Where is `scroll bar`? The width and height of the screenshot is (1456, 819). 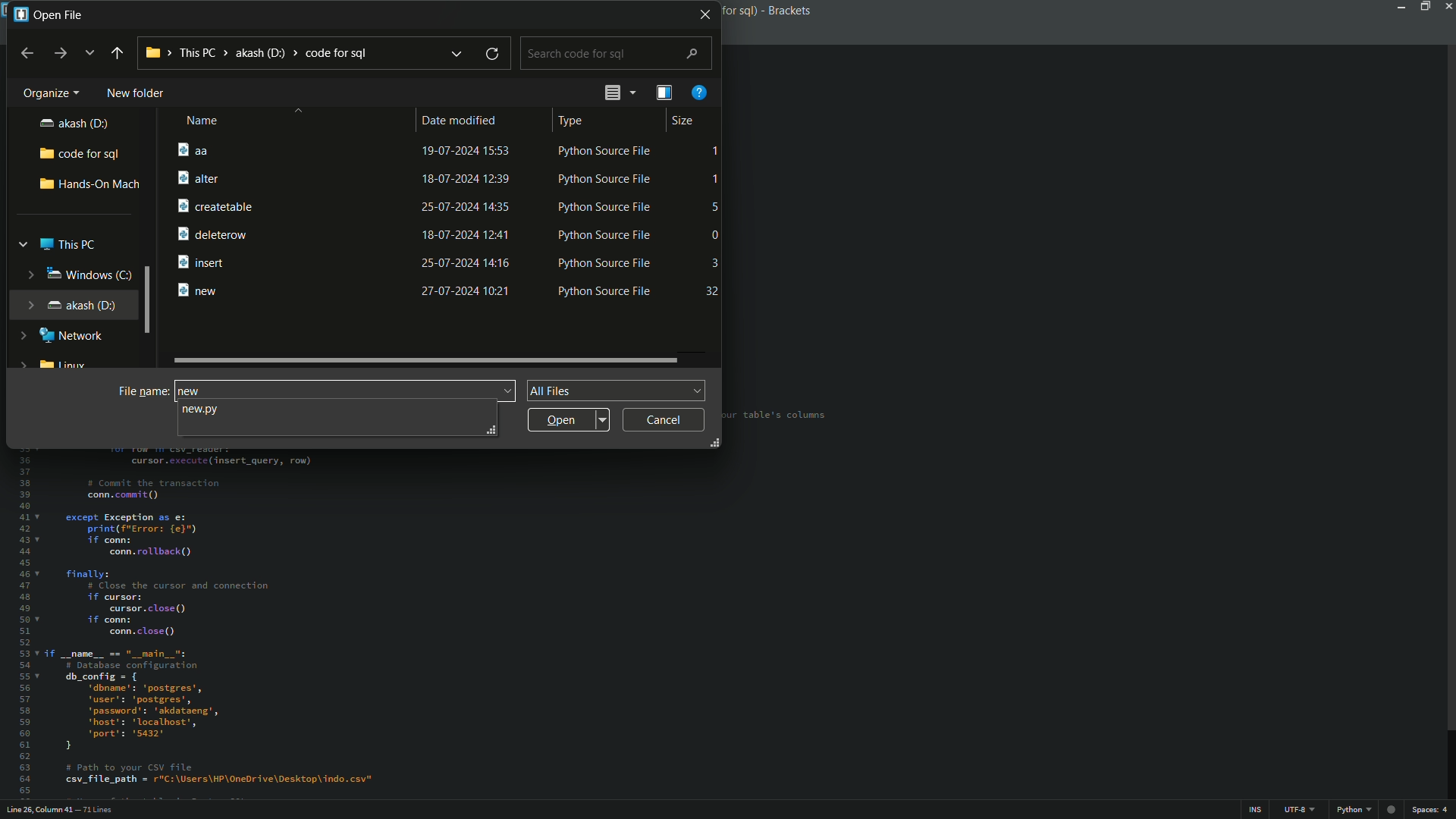
scroll bar is located at coordinates (428, 359).